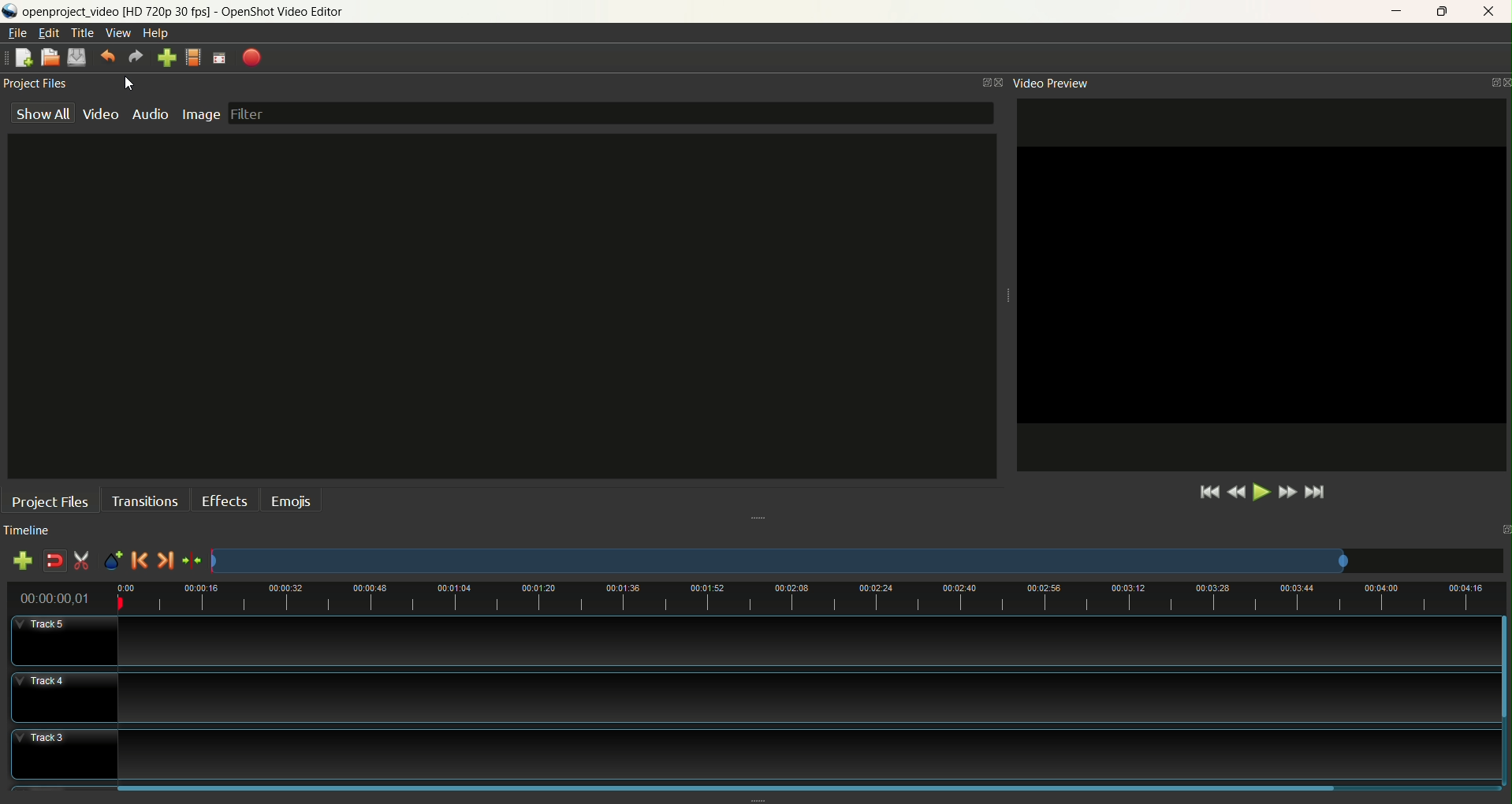  What do you see at coordinates (1207, 491) in the screenshot?
I see `jump to start` at bounding box center [1207, 491].